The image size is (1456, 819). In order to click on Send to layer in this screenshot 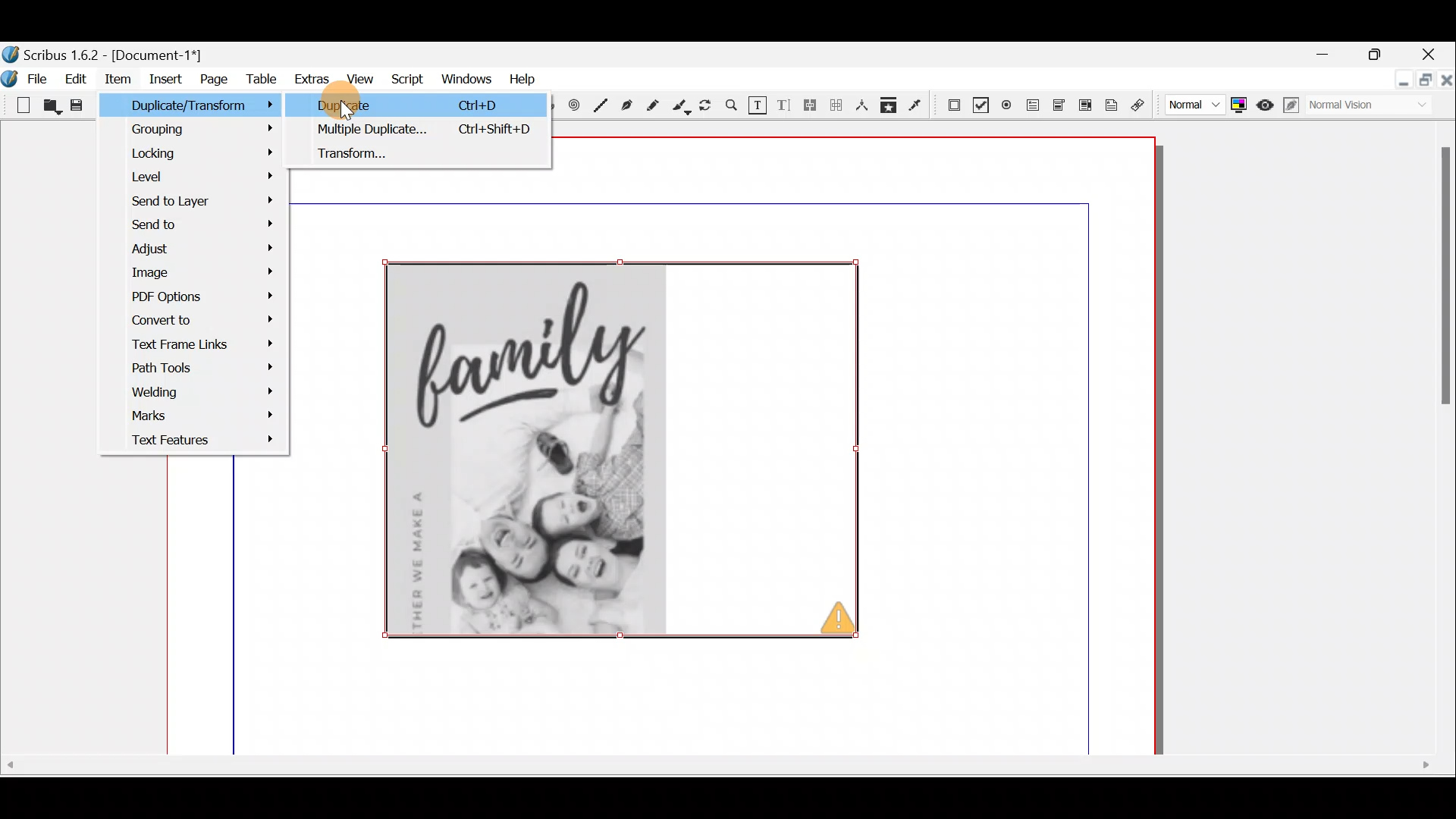, I will do `click(194, 201)`.